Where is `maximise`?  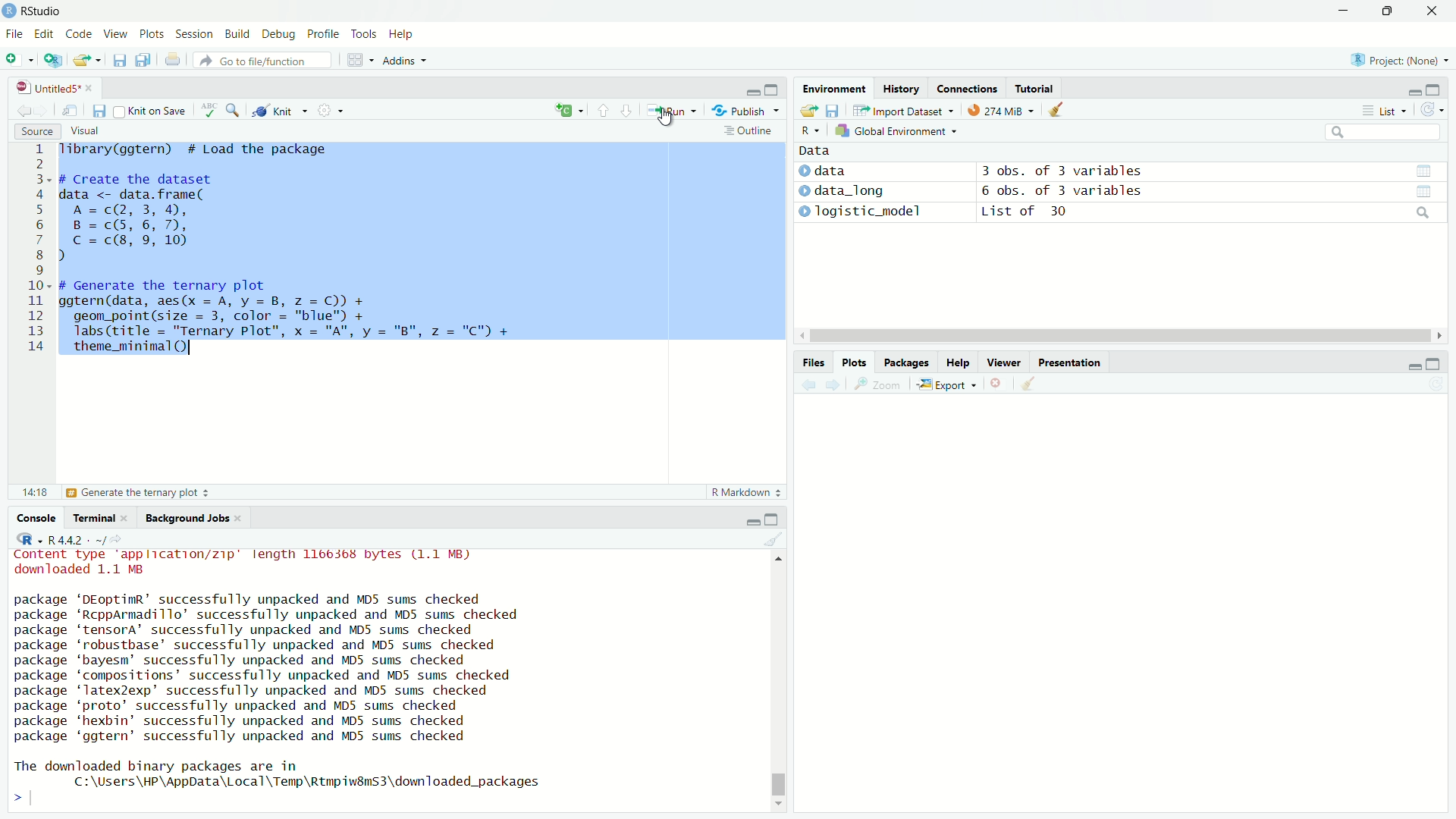 maximise is located at coordinates (1435, 89).